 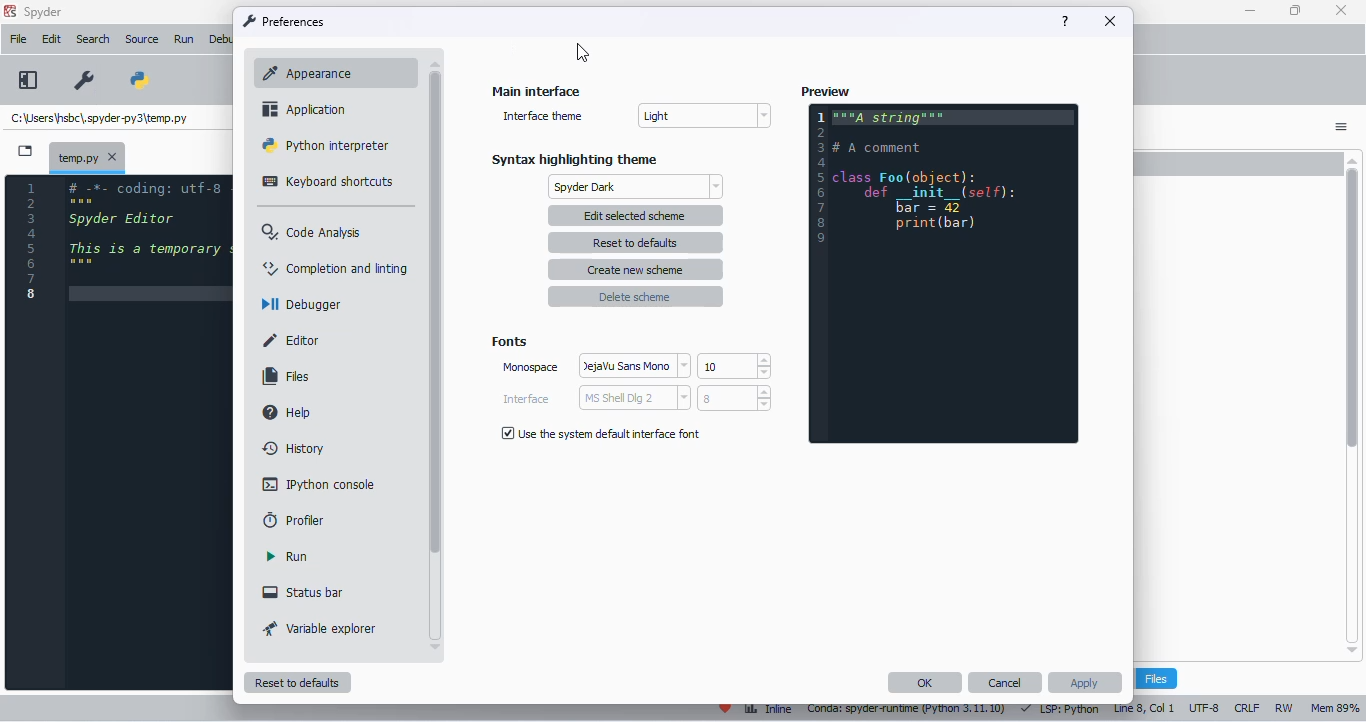 I want to click on CRLF, so click(x=1248, y=708).